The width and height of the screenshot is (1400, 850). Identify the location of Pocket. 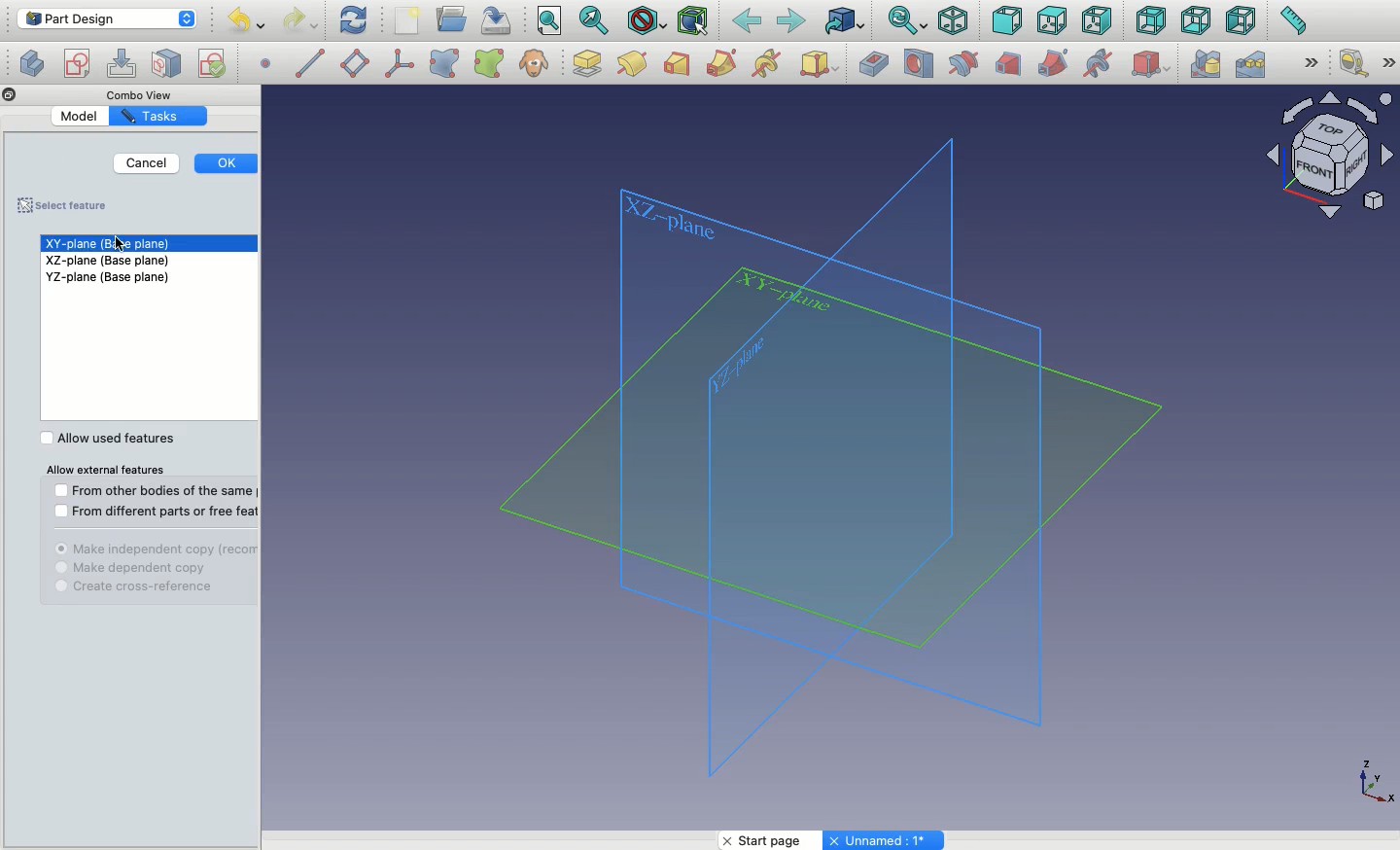
(873, 63).